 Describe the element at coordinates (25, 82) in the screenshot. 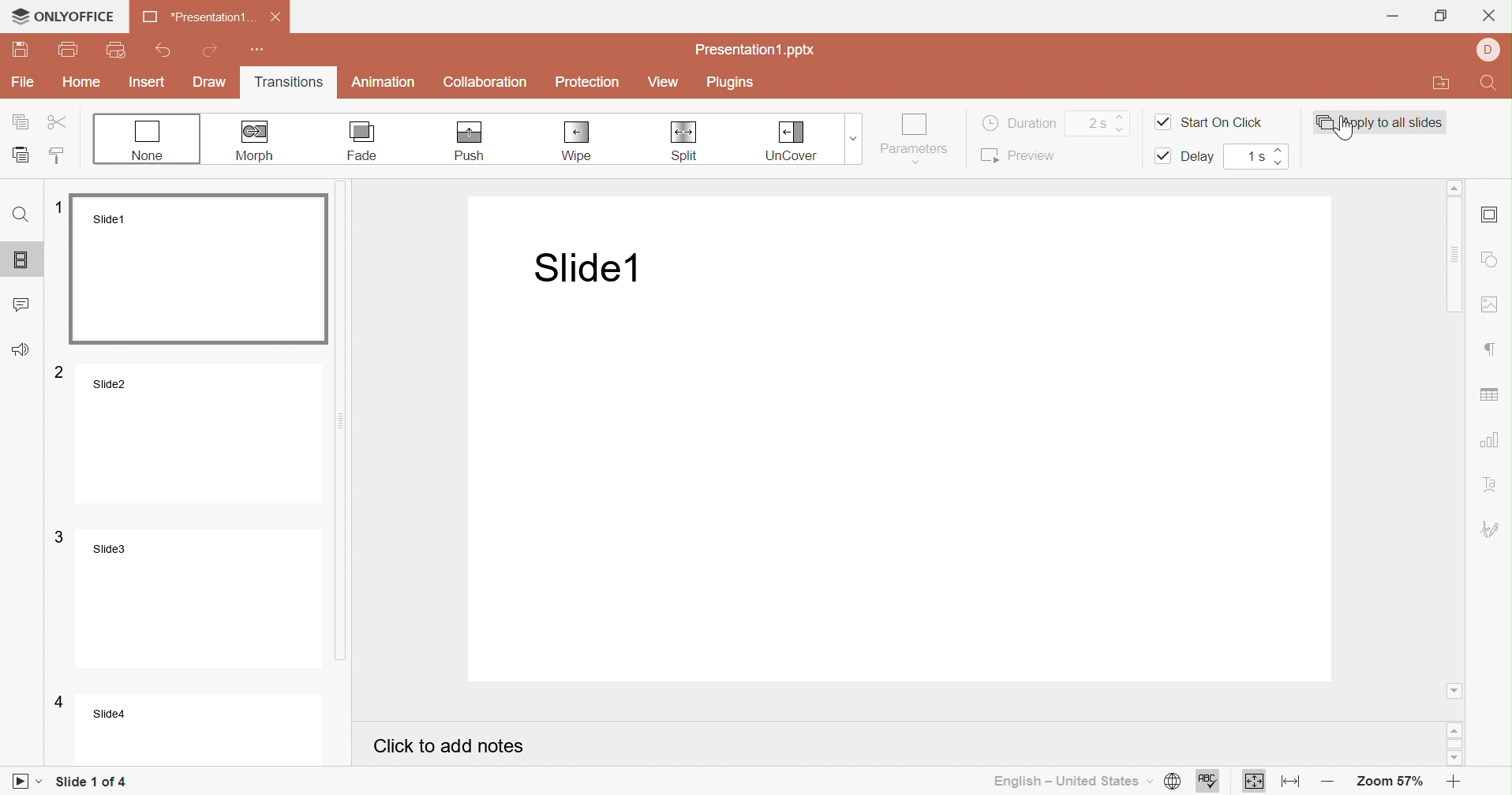

I see `File` at that location.